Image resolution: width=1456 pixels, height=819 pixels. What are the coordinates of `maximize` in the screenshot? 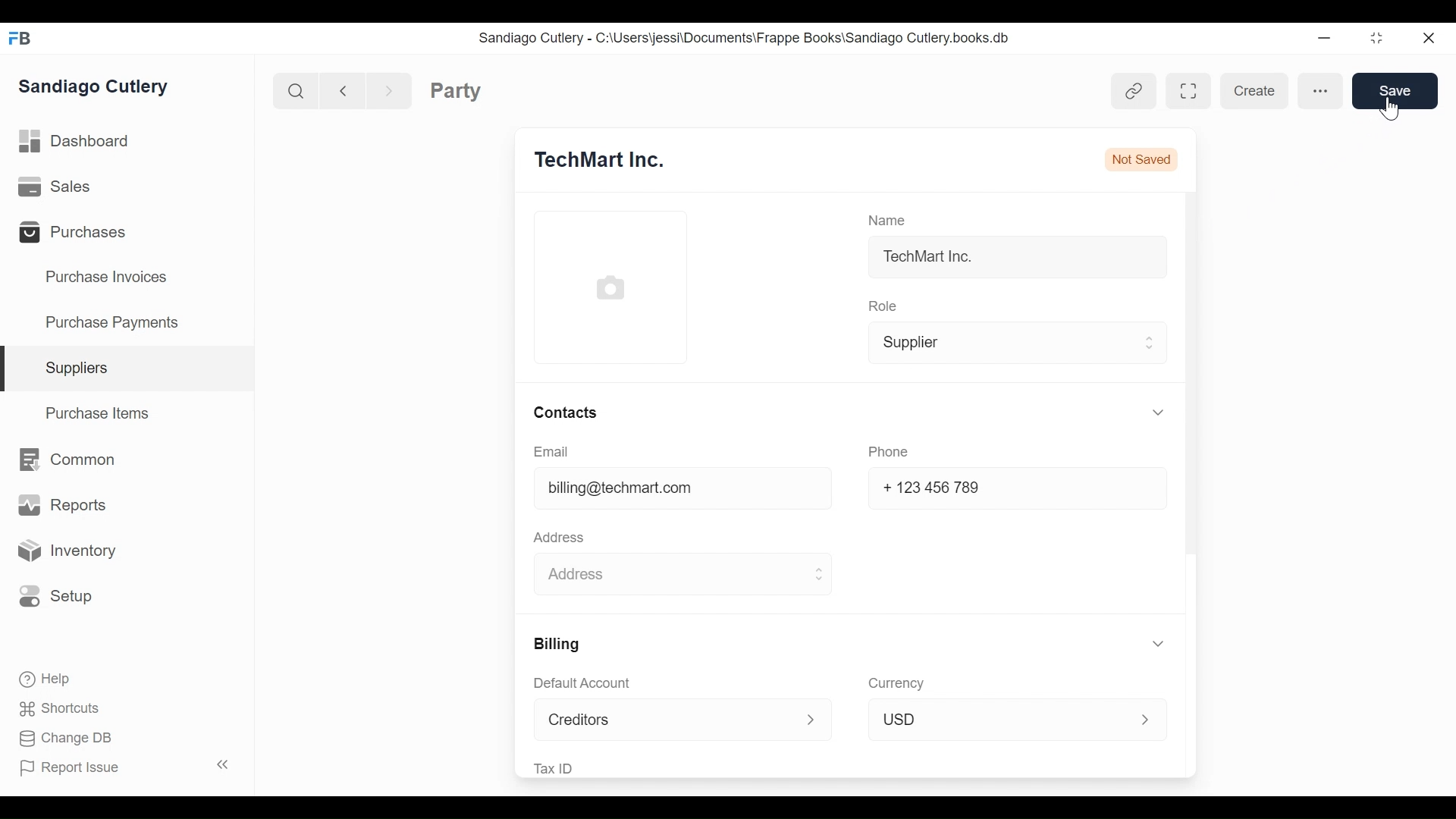 It's located at (1382, 39).